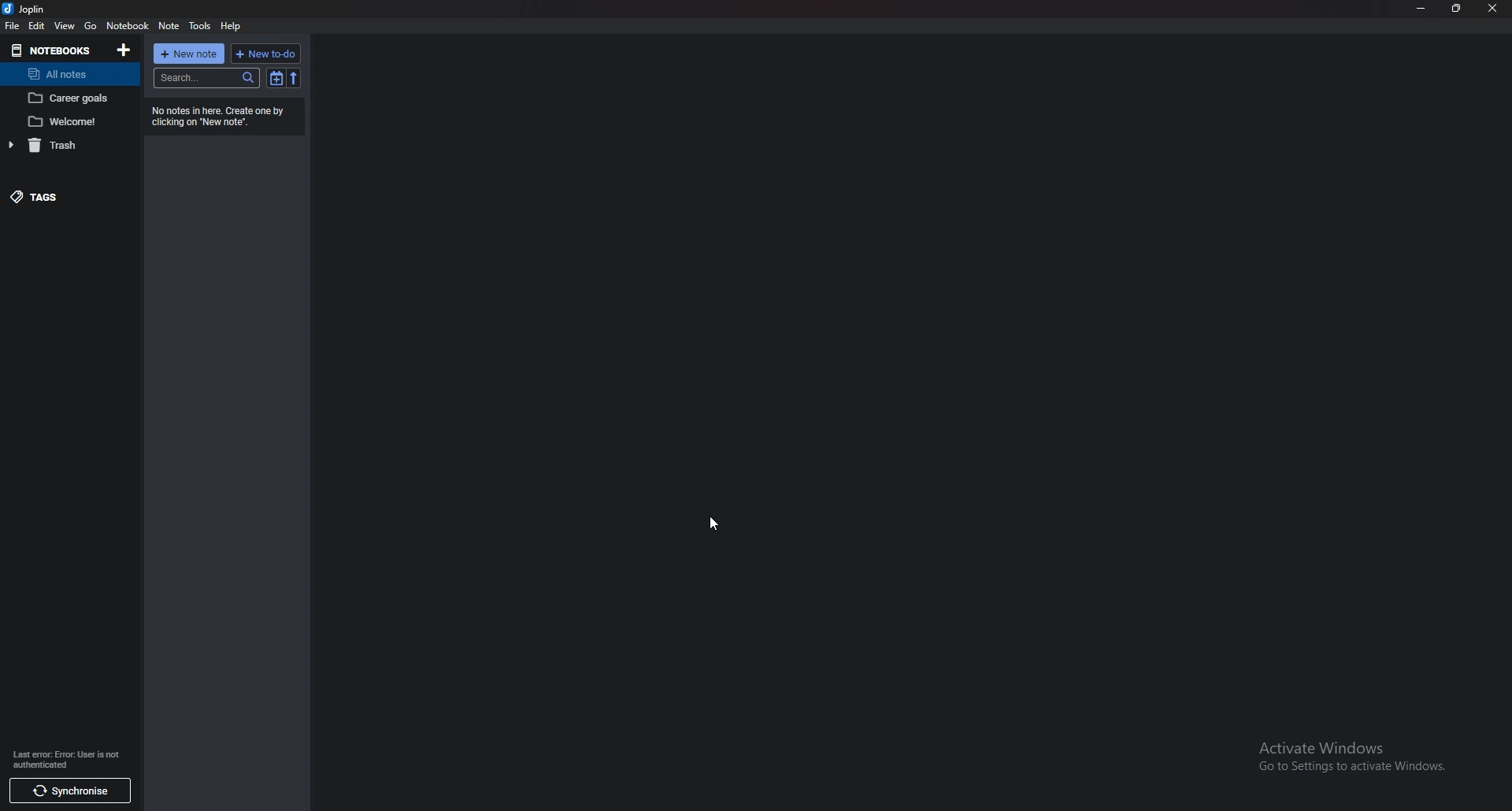  Describe the element at coordinates (714, 520) in the screenshot. I see `cursor` at that location.